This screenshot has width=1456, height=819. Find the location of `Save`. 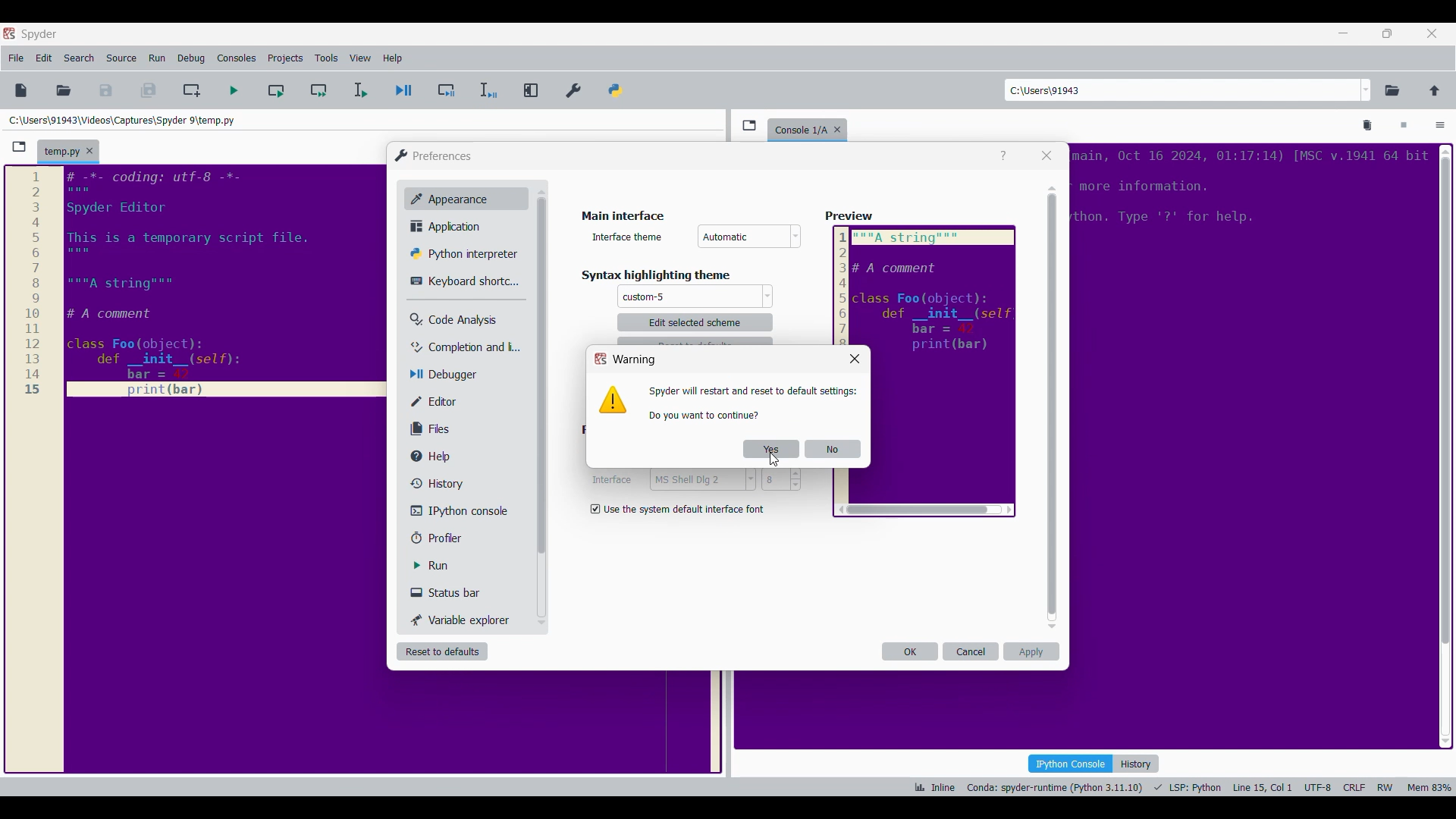

Save is located at coordinates (106, 90).